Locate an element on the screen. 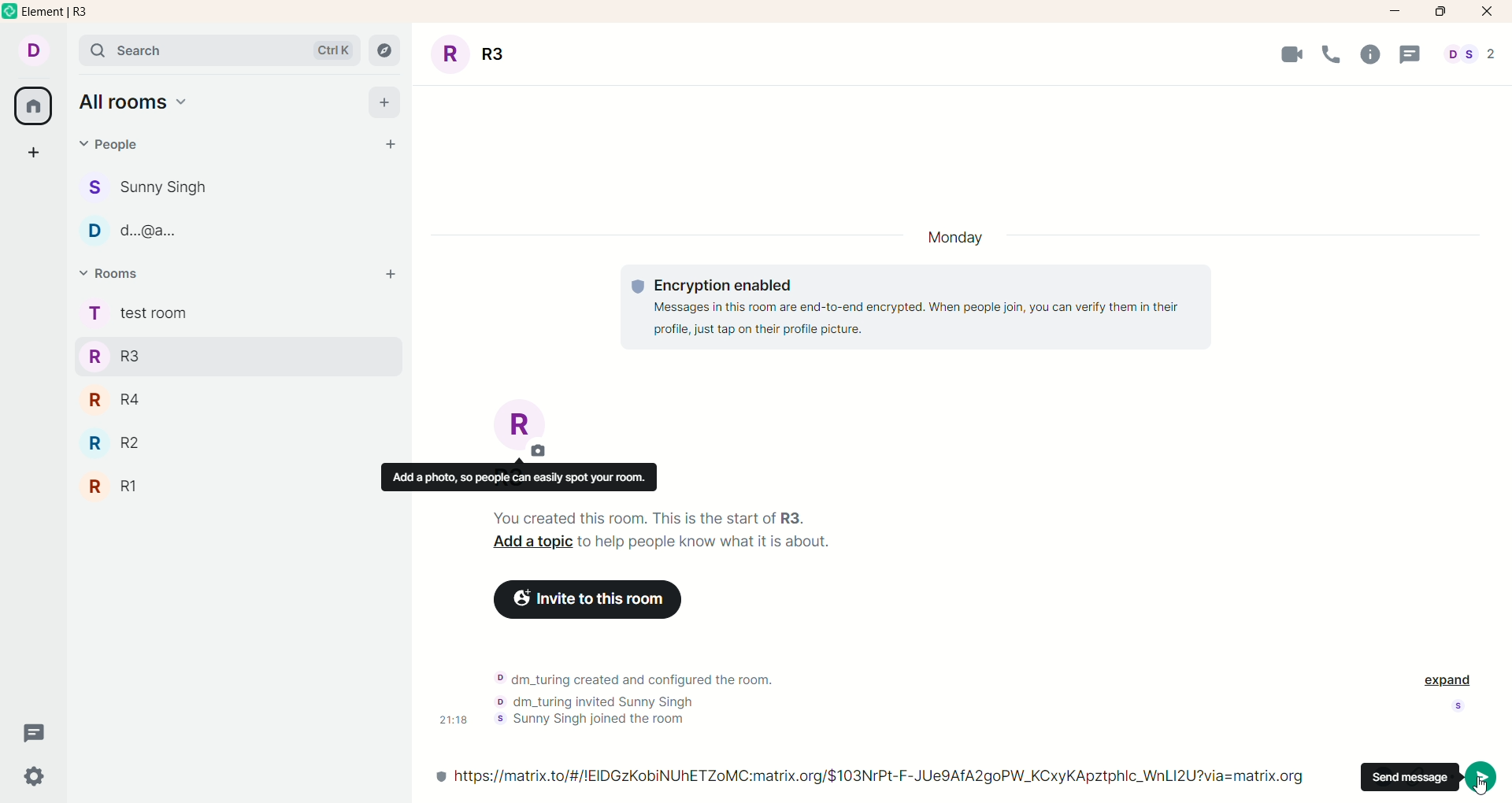 This screenshot has width=1512, height=803. create a space is located at coordinates (35, 156).